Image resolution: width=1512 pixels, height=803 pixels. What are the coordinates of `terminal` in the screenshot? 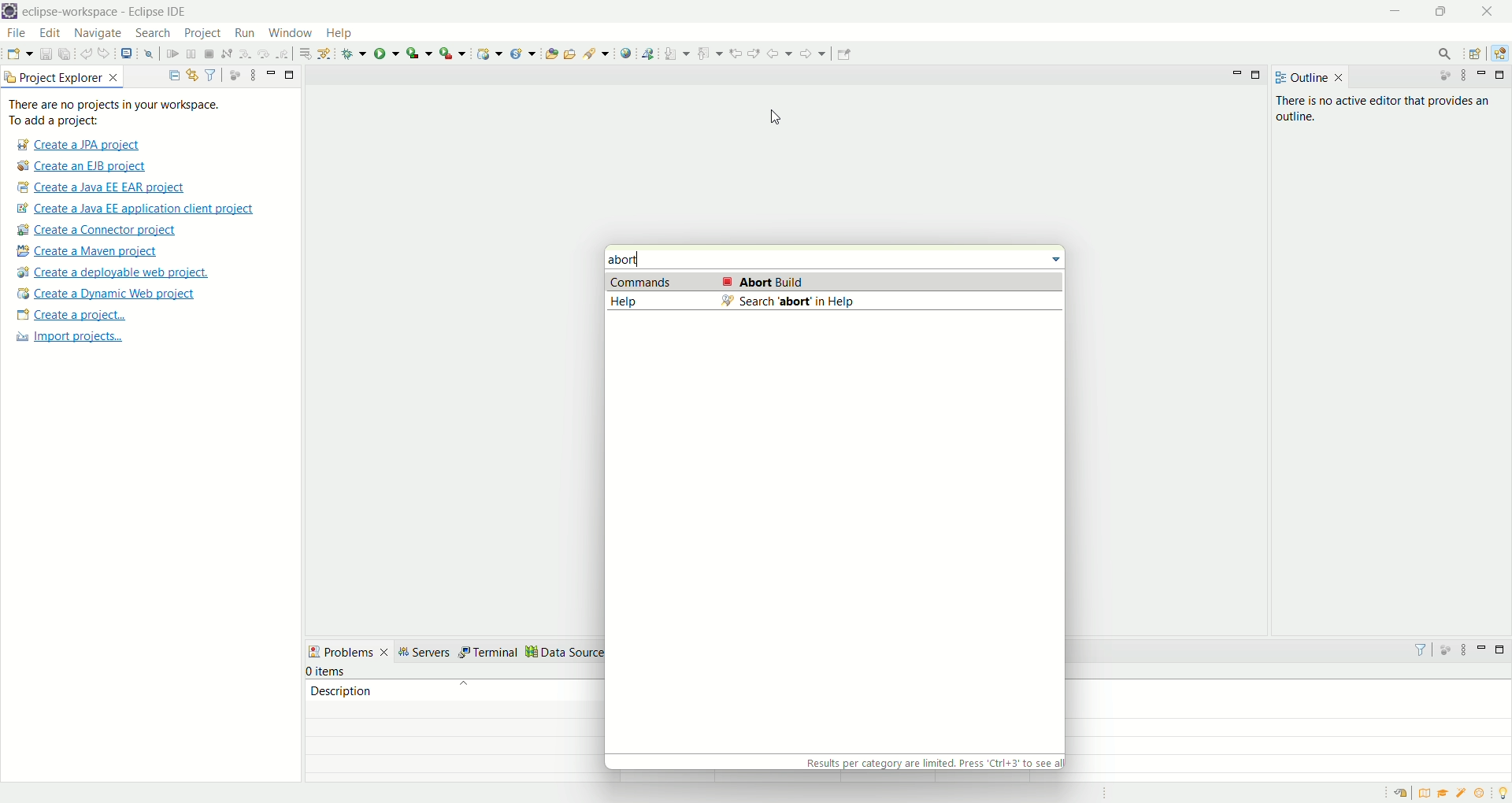 It's located at (491, 652).